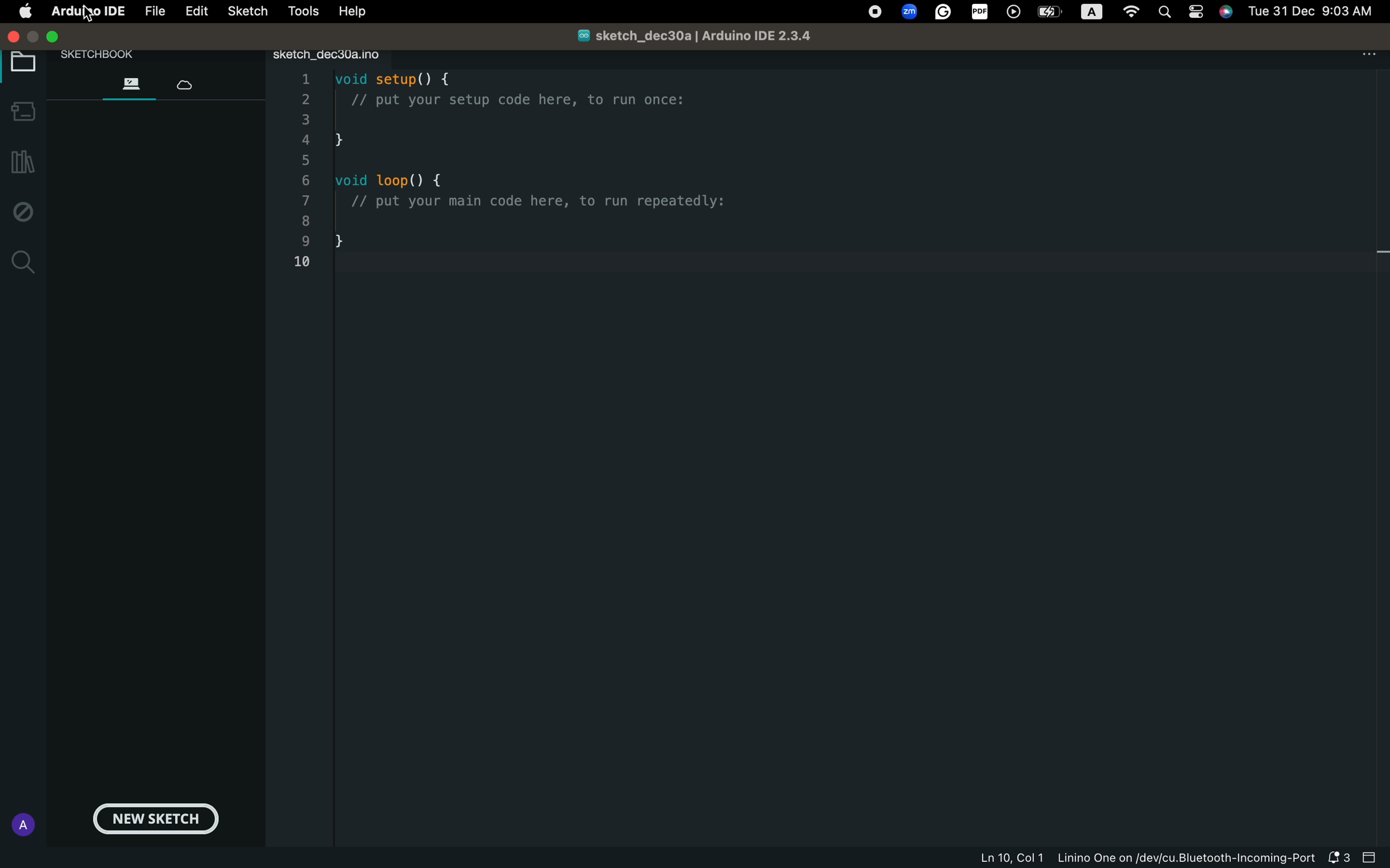  Describe the element at coordinates (1049, 12) in the screenshot. I see `battery` at that location.